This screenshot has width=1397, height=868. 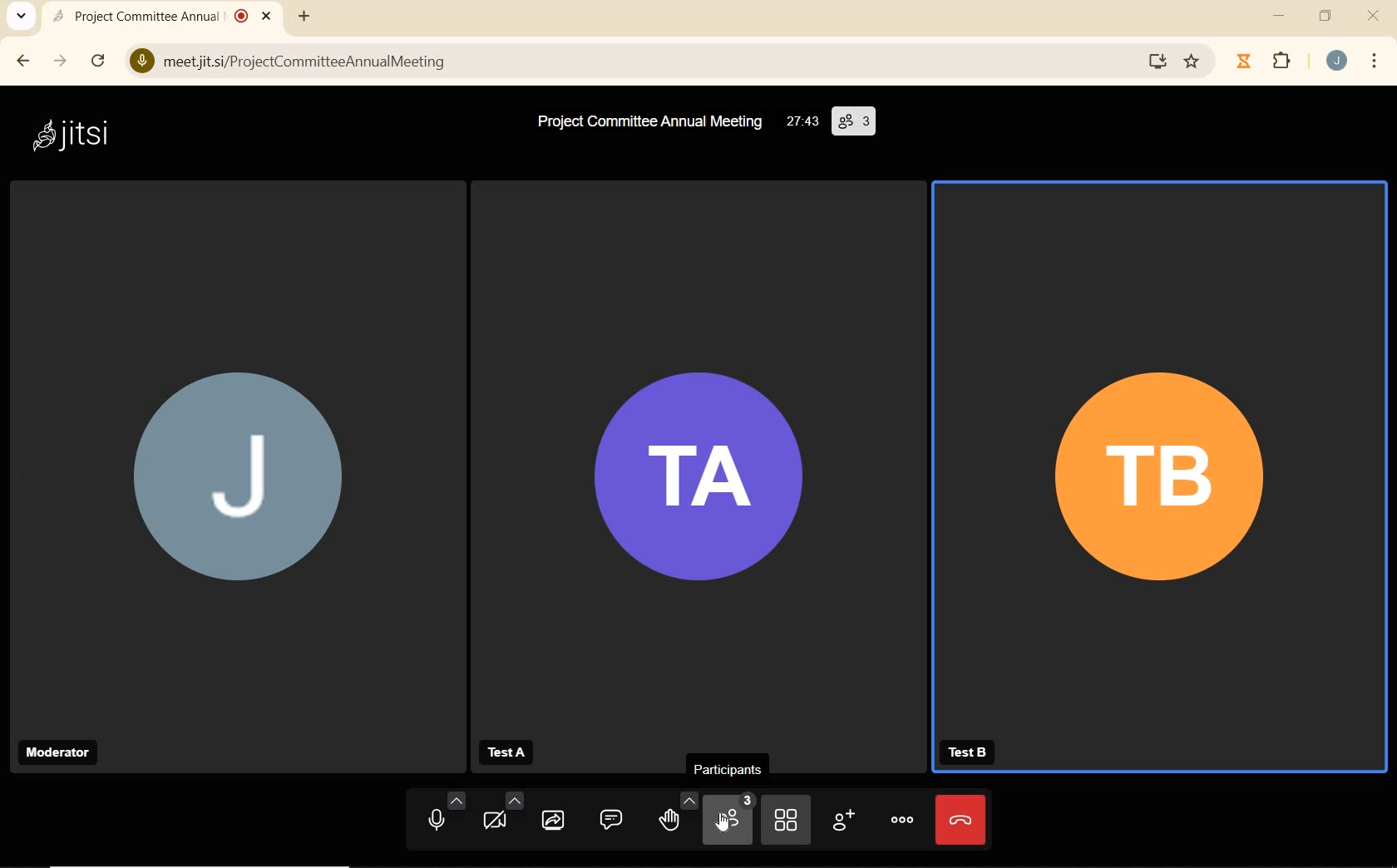 I want to click on TestB, so click(x=965, y=751).